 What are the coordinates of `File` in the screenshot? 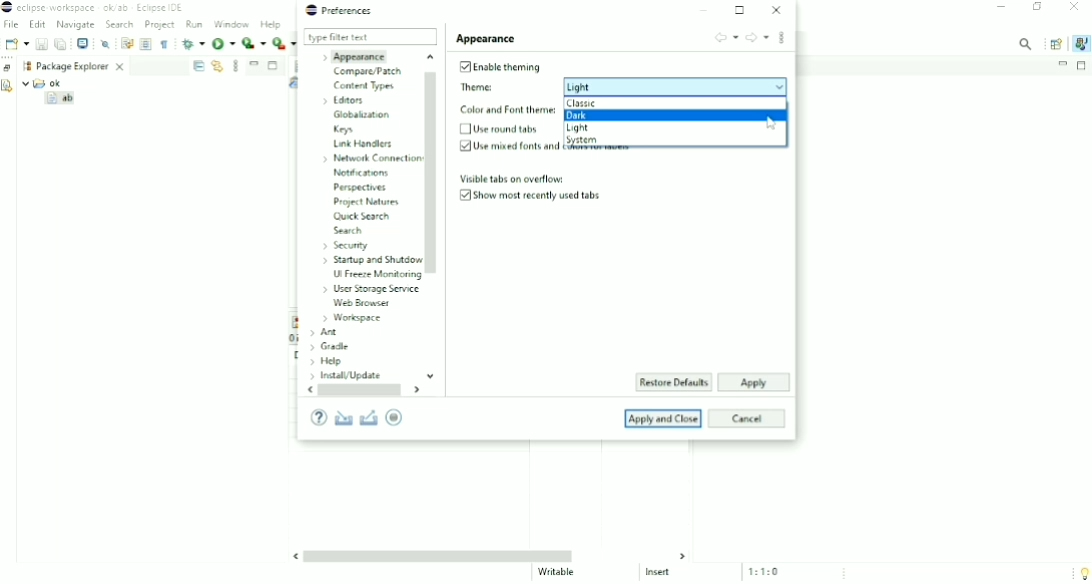 It's located at (12, 25).